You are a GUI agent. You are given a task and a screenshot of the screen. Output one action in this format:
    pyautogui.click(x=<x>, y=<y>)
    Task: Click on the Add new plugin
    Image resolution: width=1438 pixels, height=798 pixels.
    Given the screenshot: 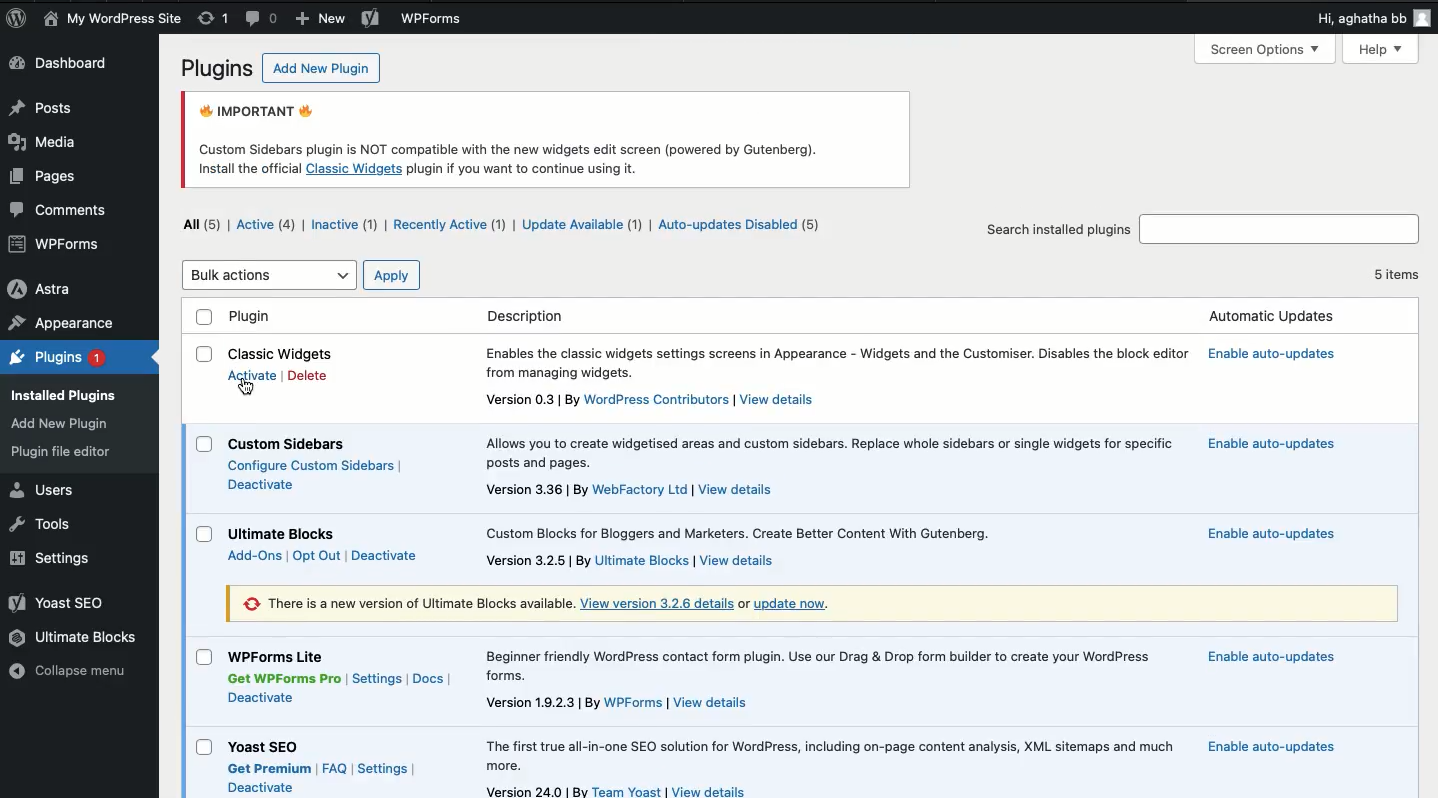 What is the action you would take?
    pyautogui.click(x=64, y=425)
    